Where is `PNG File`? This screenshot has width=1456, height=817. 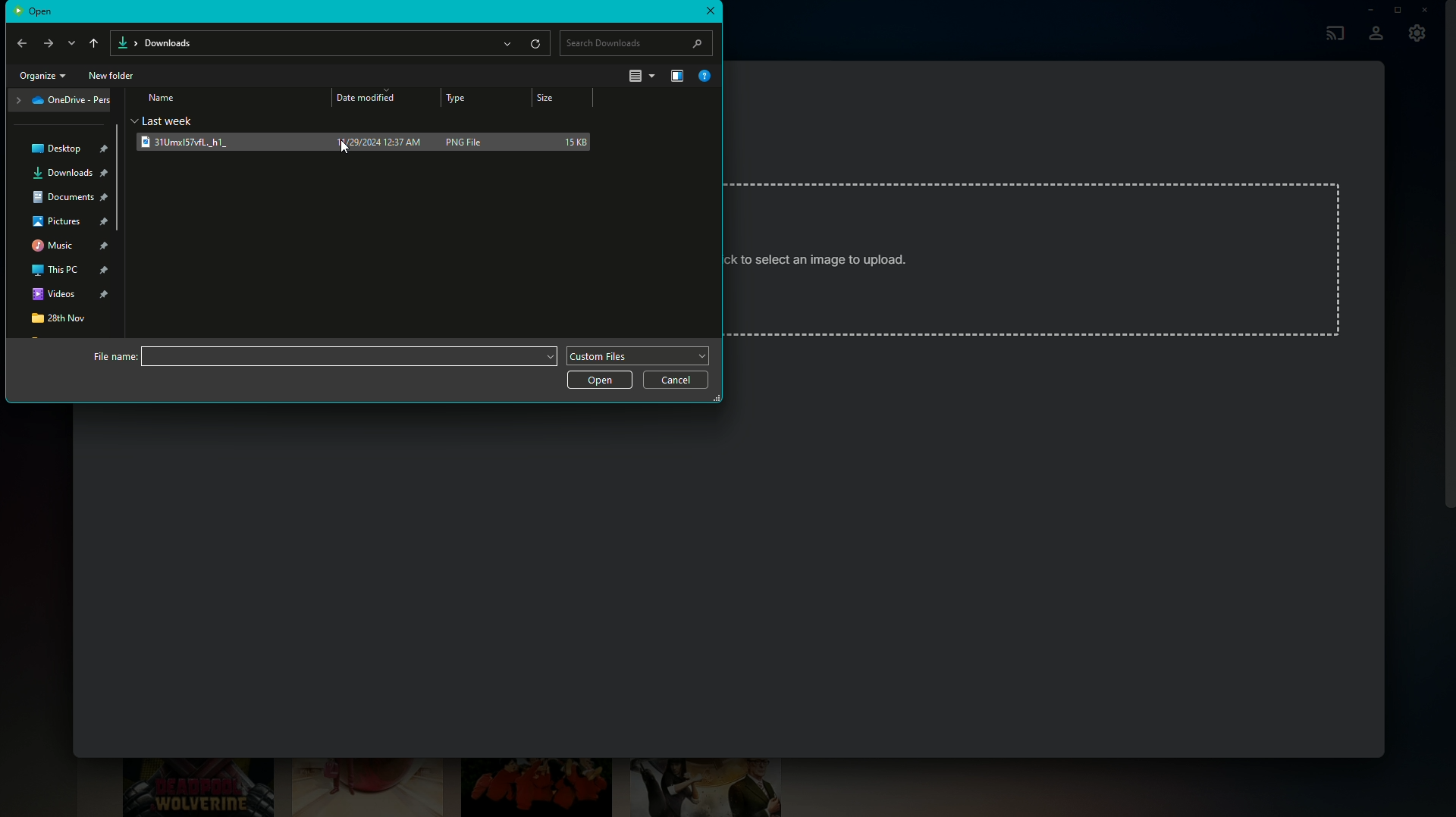 PNG File is located at coordinates (471, 141).